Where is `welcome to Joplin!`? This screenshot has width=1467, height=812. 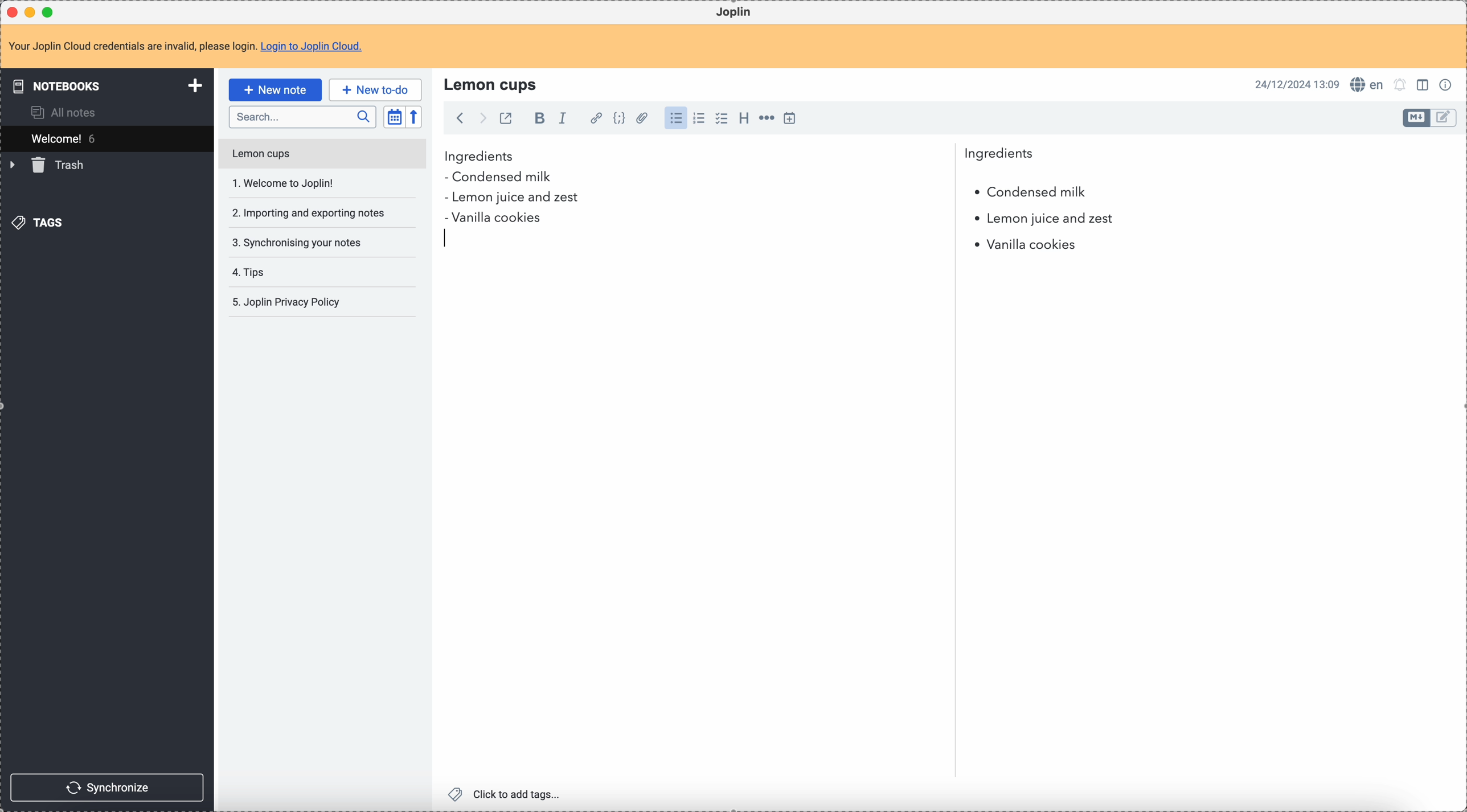 welcome to Joplin! is located at coordinates (284, 183).